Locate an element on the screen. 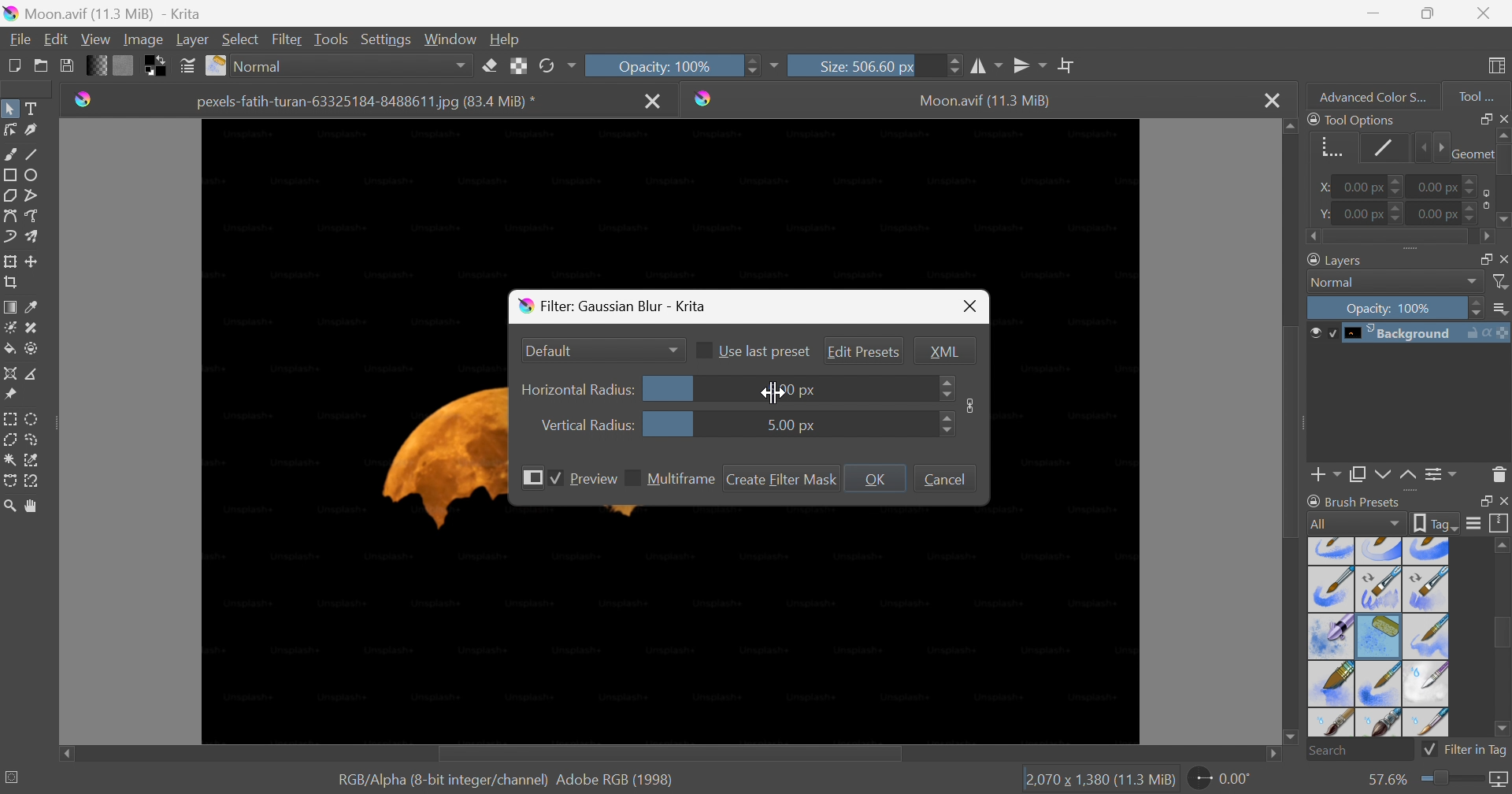  Favorites is located at coordinates (340, 66).